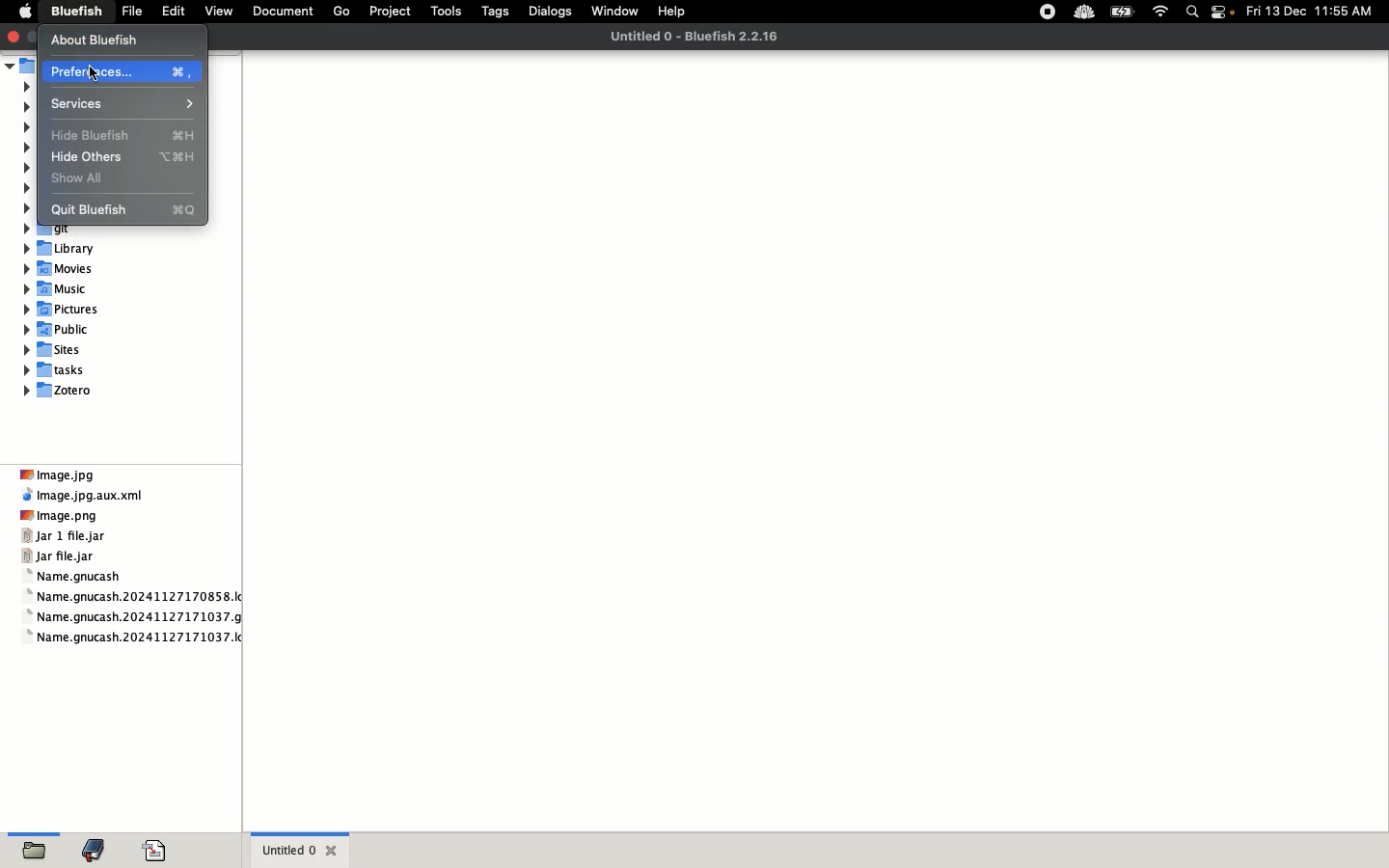 This screenshot has height=868, width=1389. What do you see at coordinates (1316, 11) in the screenshot?
I see `Date time` at bounding box center [1316, 11].